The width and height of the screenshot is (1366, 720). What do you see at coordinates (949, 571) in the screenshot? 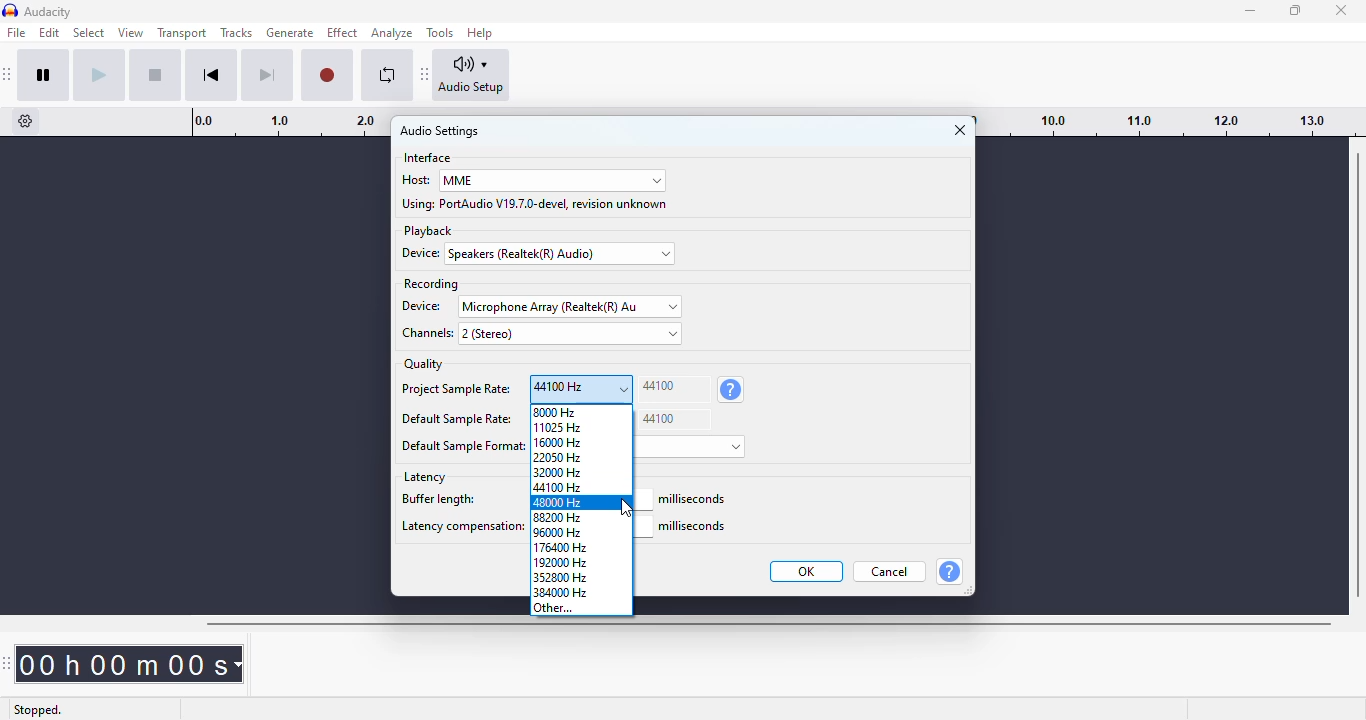
I see `help` at bounding box center [949, 571].